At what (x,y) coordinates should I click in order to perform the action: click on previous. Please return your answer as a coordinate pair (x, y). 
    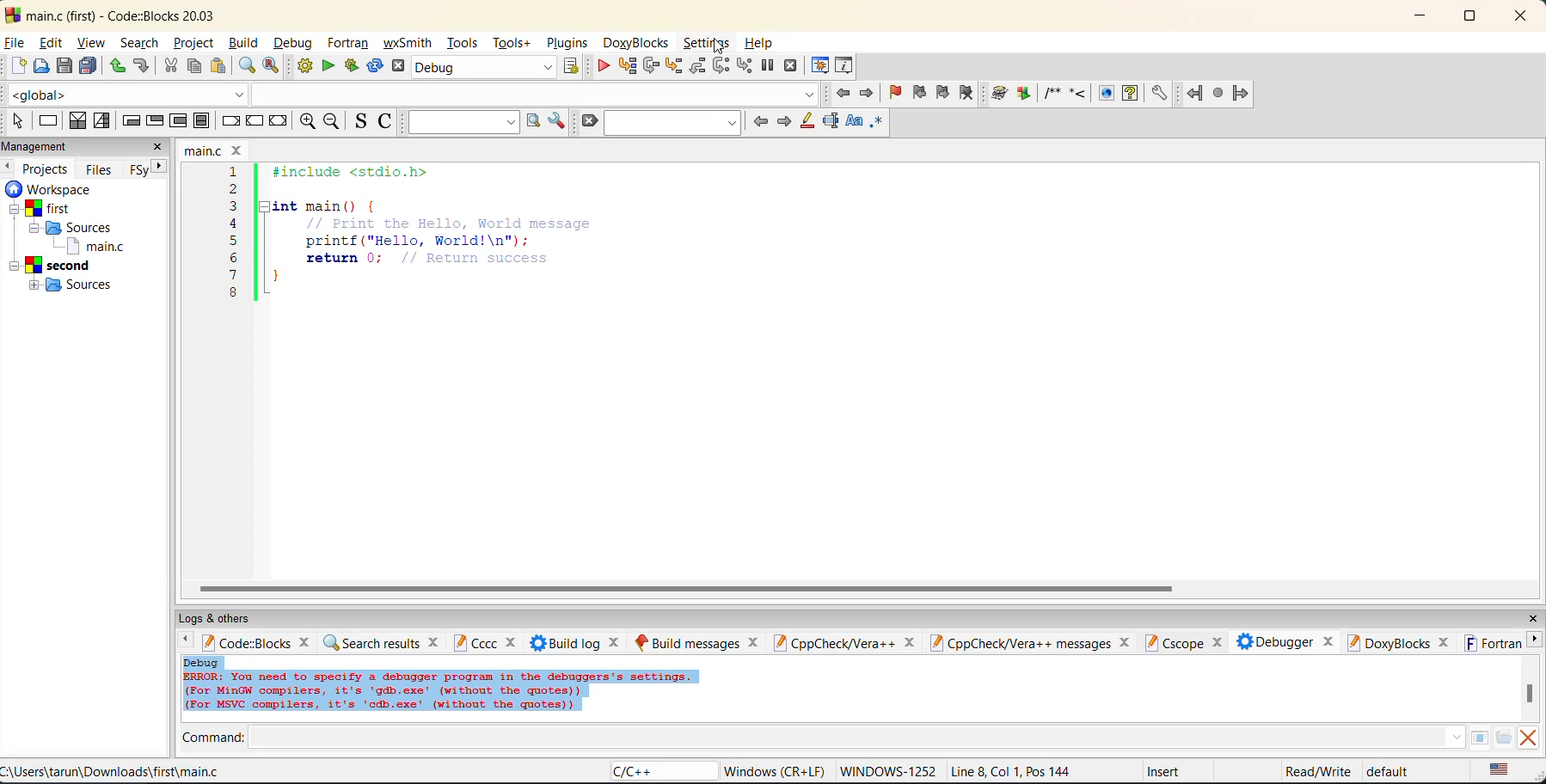
    Looking at the image, I should click on (9, 167).